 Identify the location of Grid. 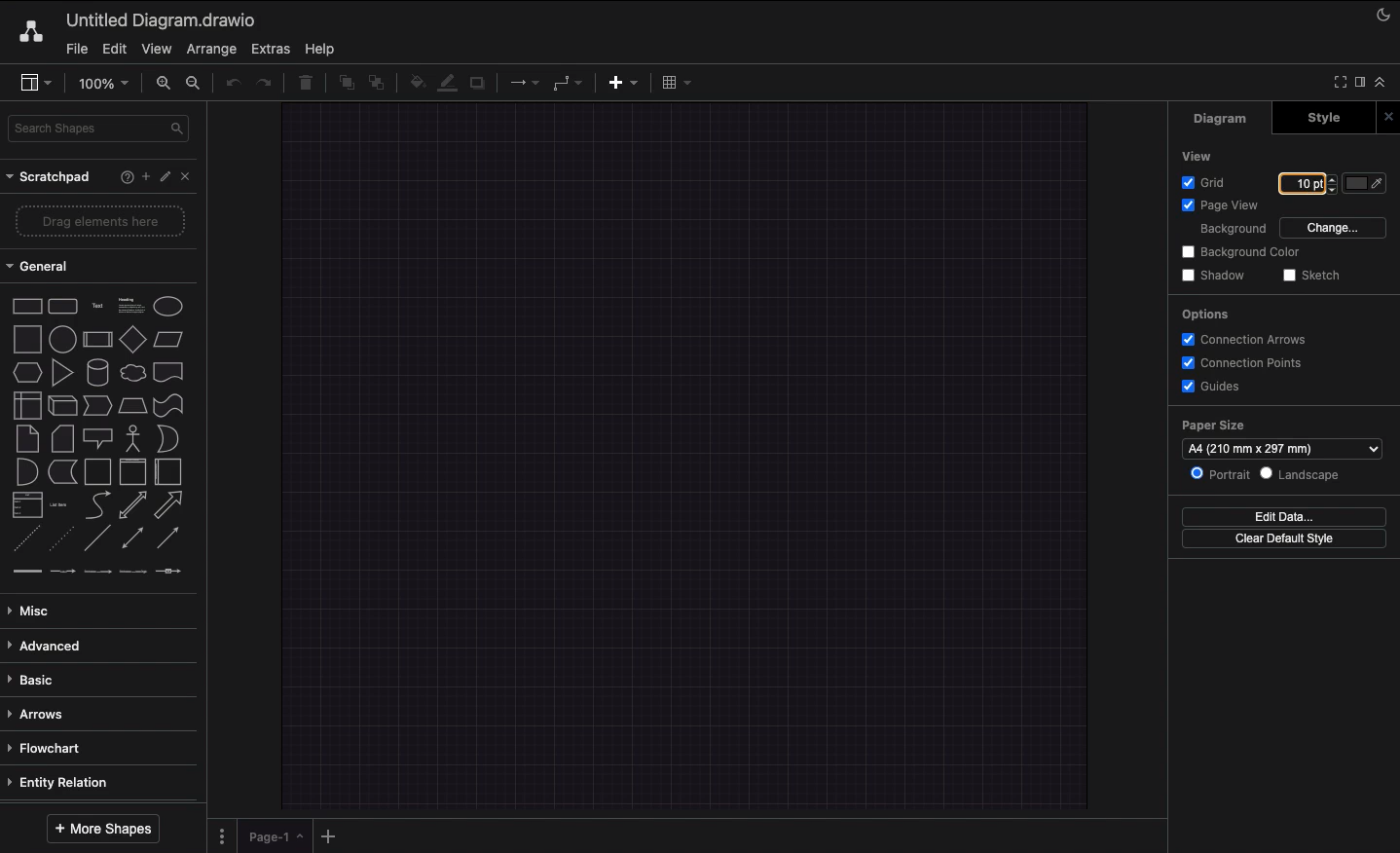
(1205, 184).